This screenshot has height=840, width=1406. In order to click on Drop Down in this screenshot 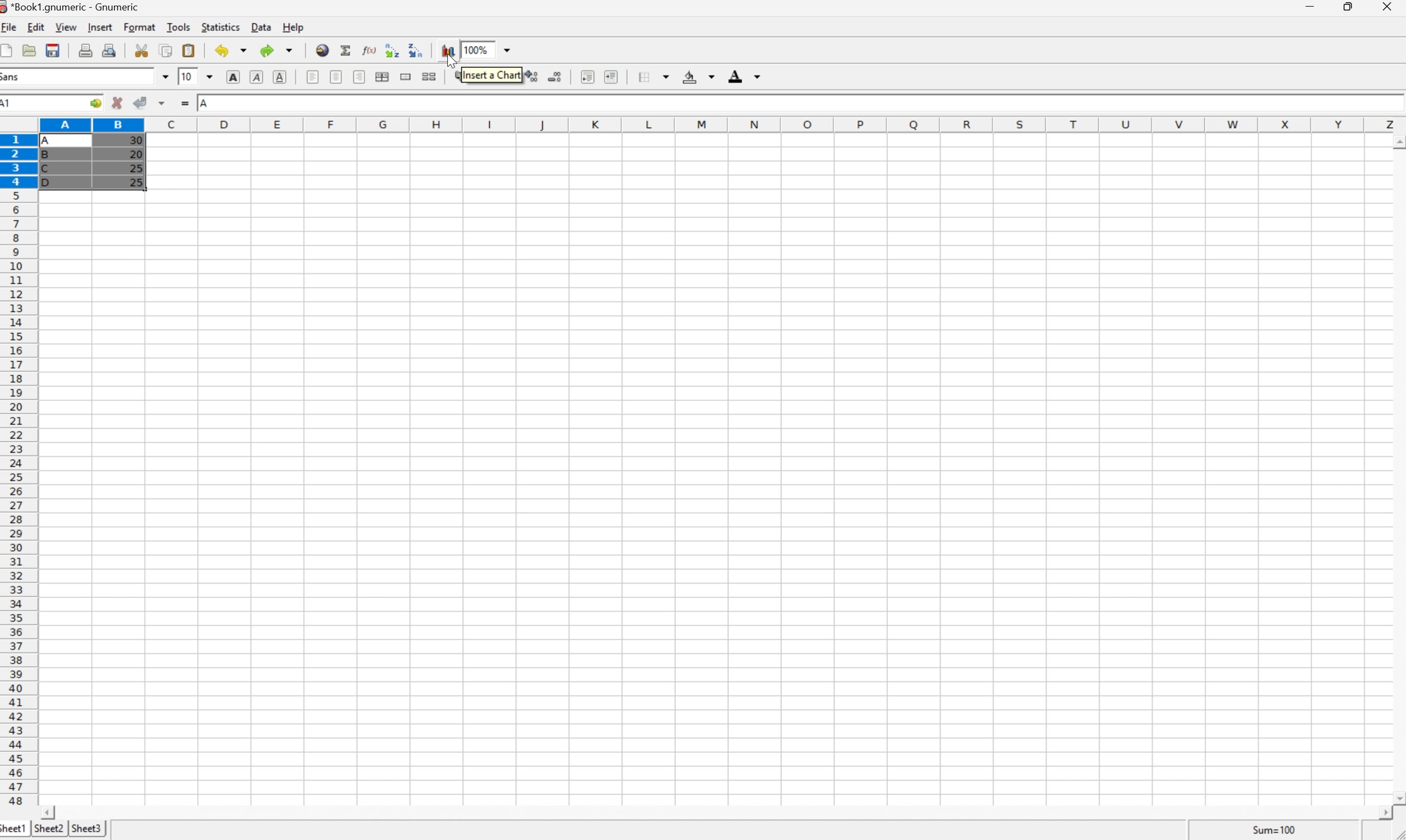, I will do `click(511, 49)`.